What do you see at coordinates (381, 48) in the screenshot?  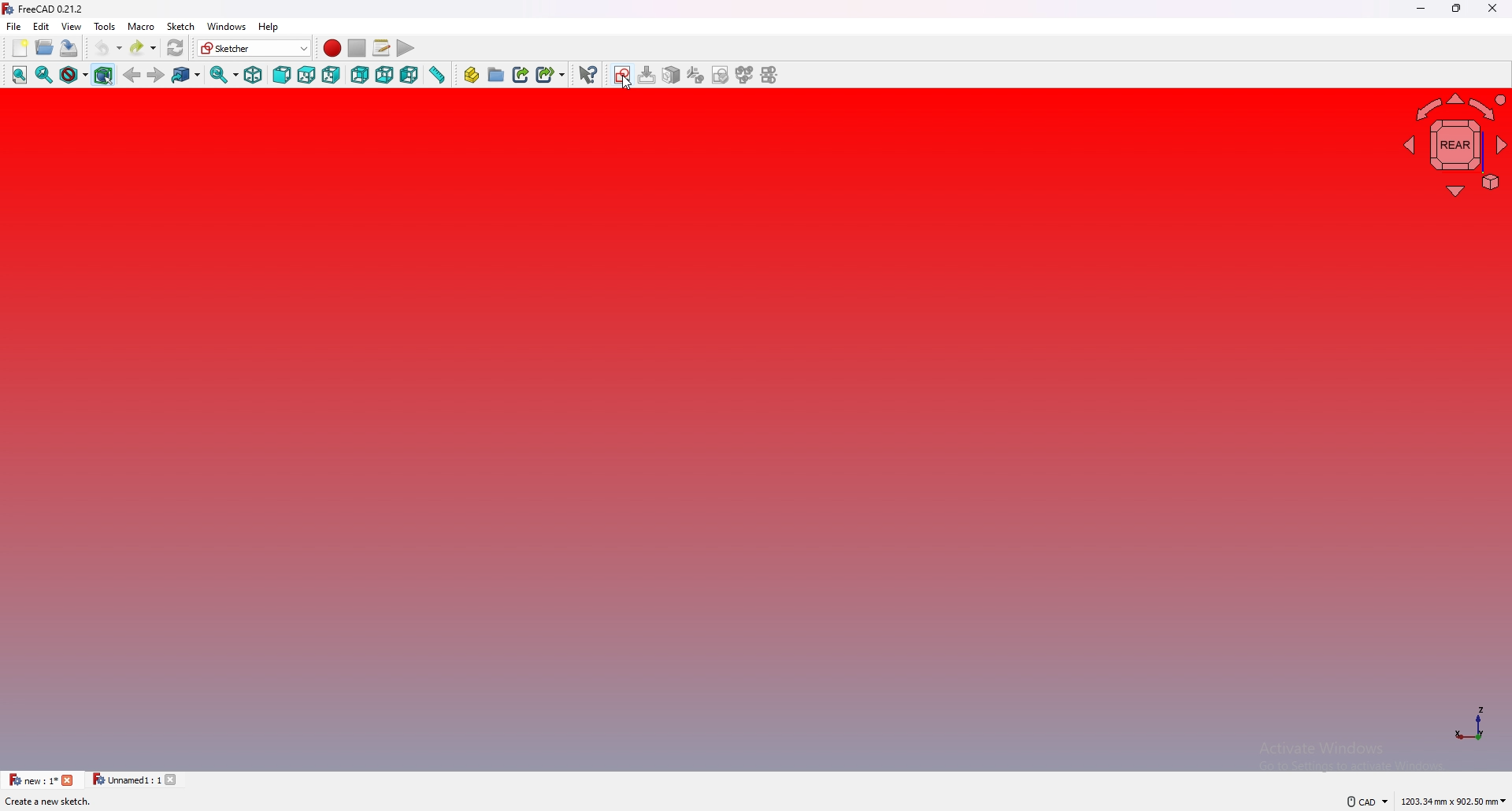 I see `macros` at bounding box center [381, 48].